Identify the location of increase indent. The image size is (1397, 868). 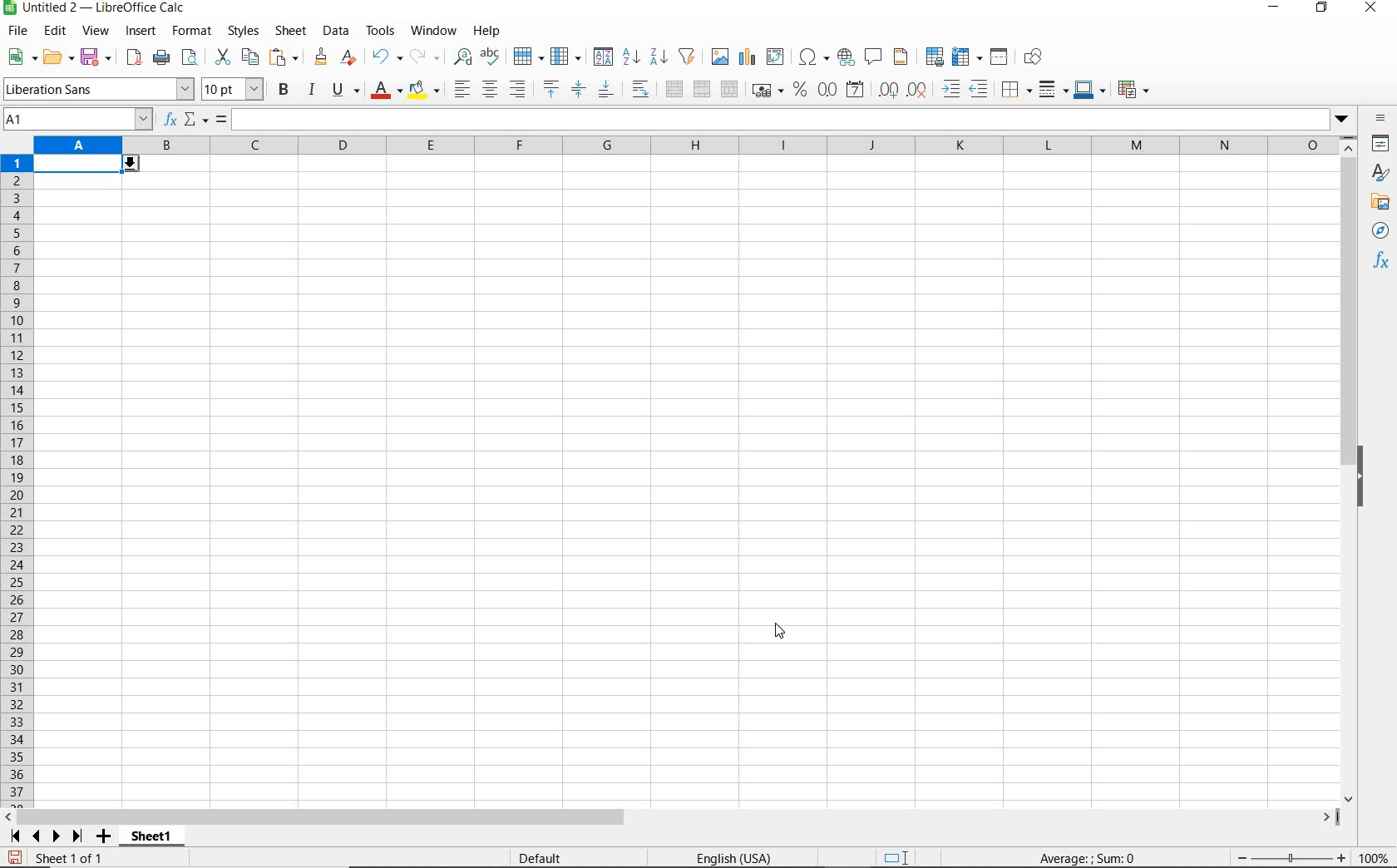
(952, 89).